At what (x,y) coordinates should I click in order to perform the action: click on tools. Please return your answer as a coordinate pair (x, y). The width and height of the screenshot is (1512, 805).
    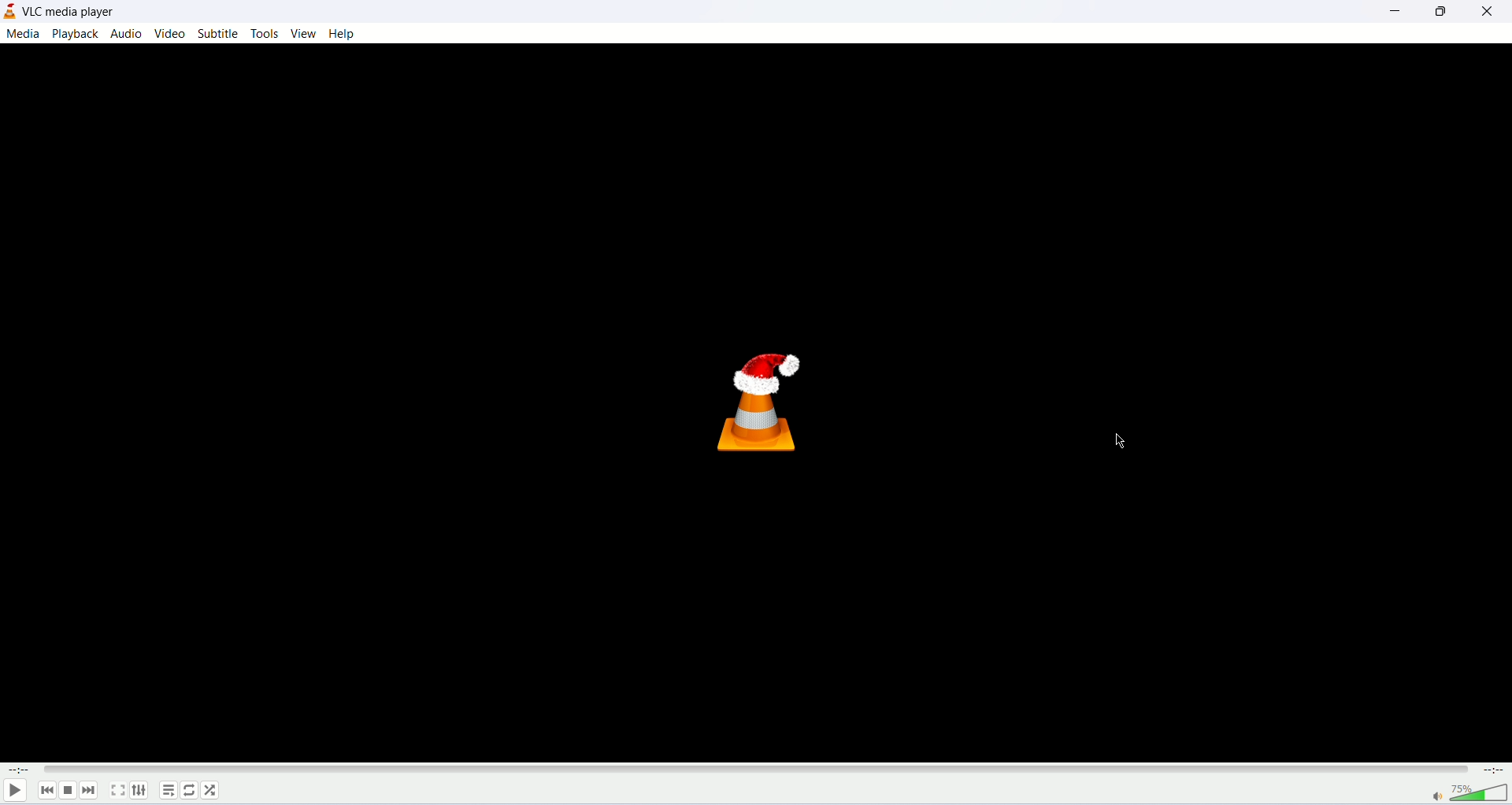
    Looking at the image, I should click on (265, 35).